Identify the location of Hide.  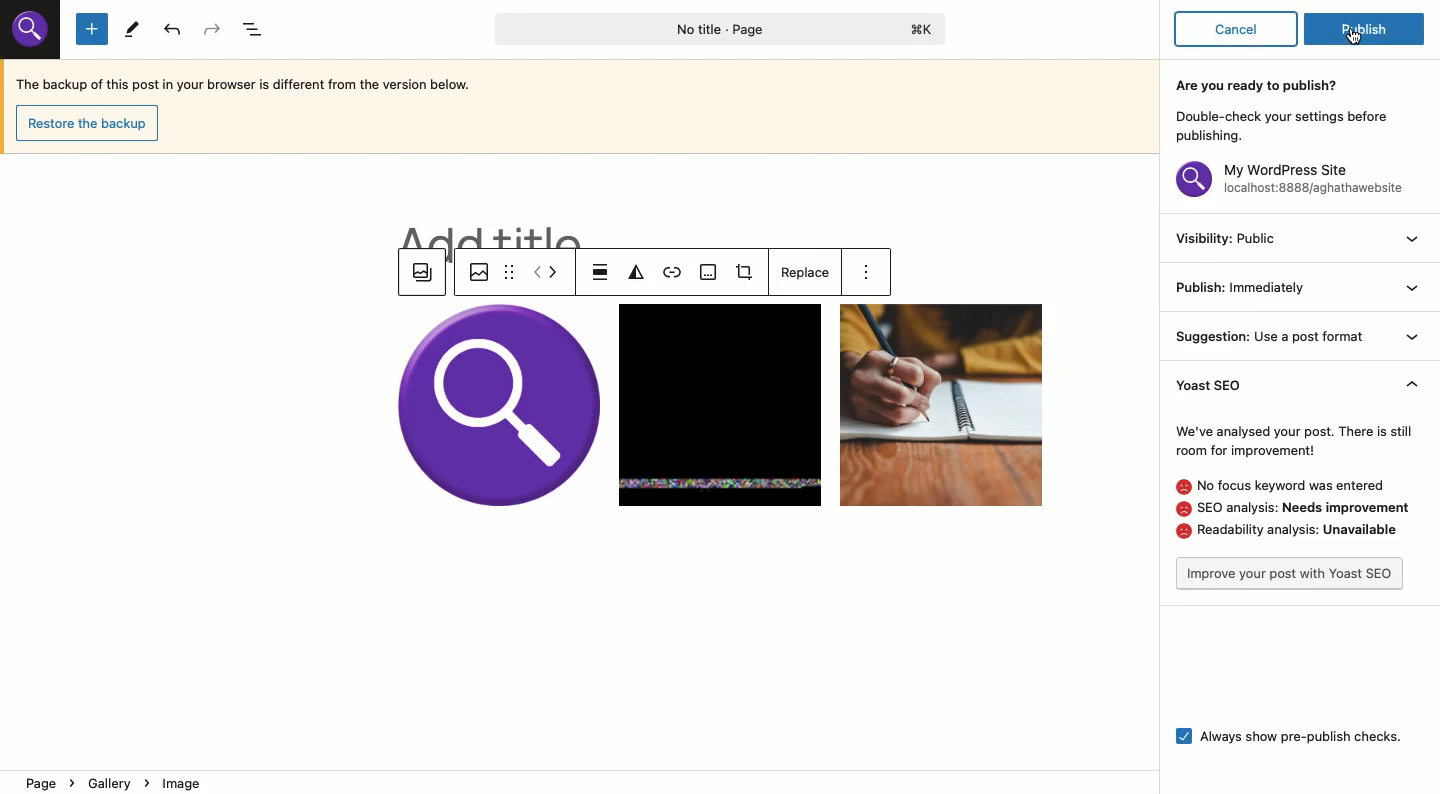
(1407, 385).